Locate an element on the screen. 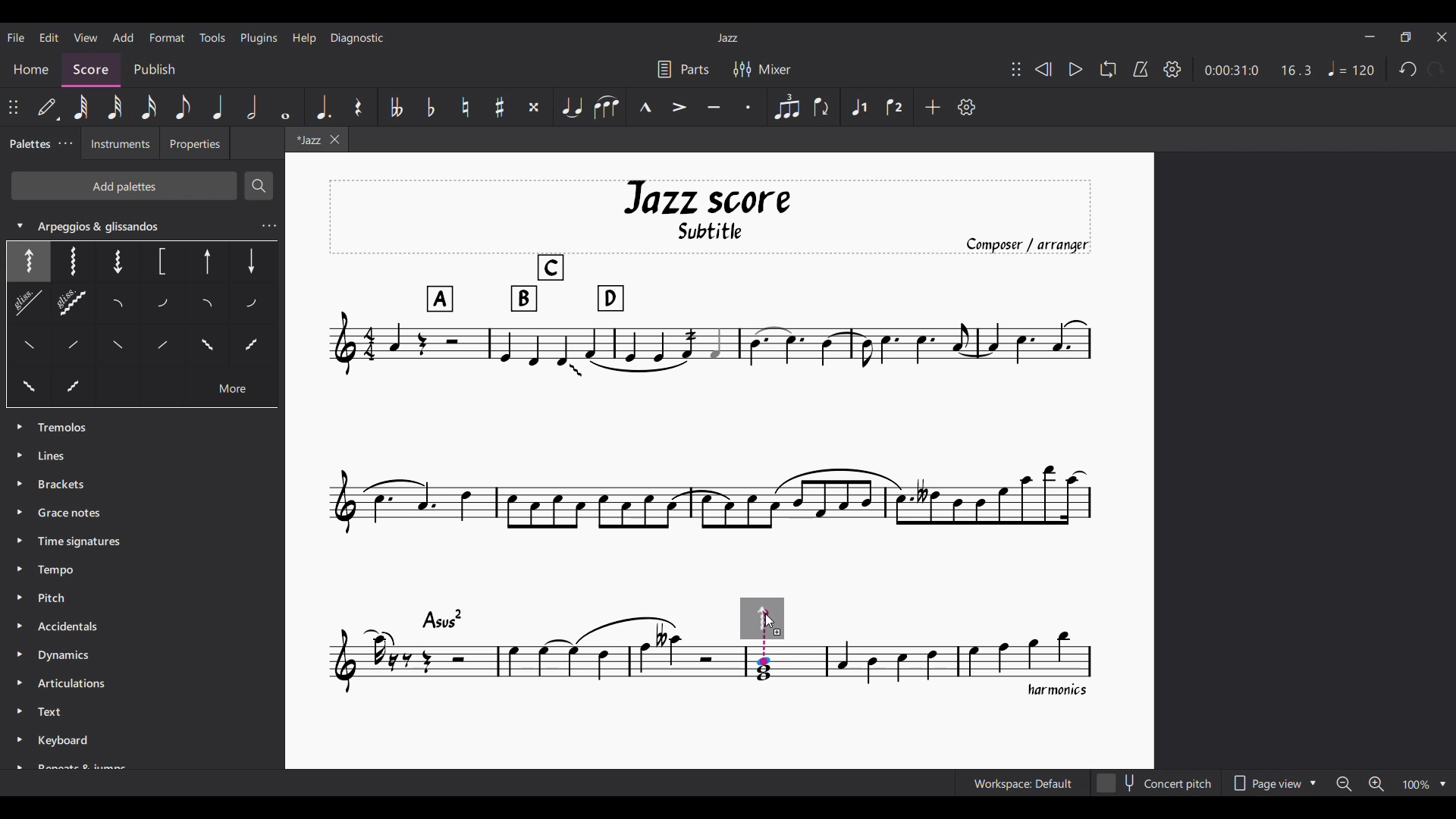 Image resolution: width=1456 pixels, height=819 pixels. Settings is located at coordinates (1172, 69).